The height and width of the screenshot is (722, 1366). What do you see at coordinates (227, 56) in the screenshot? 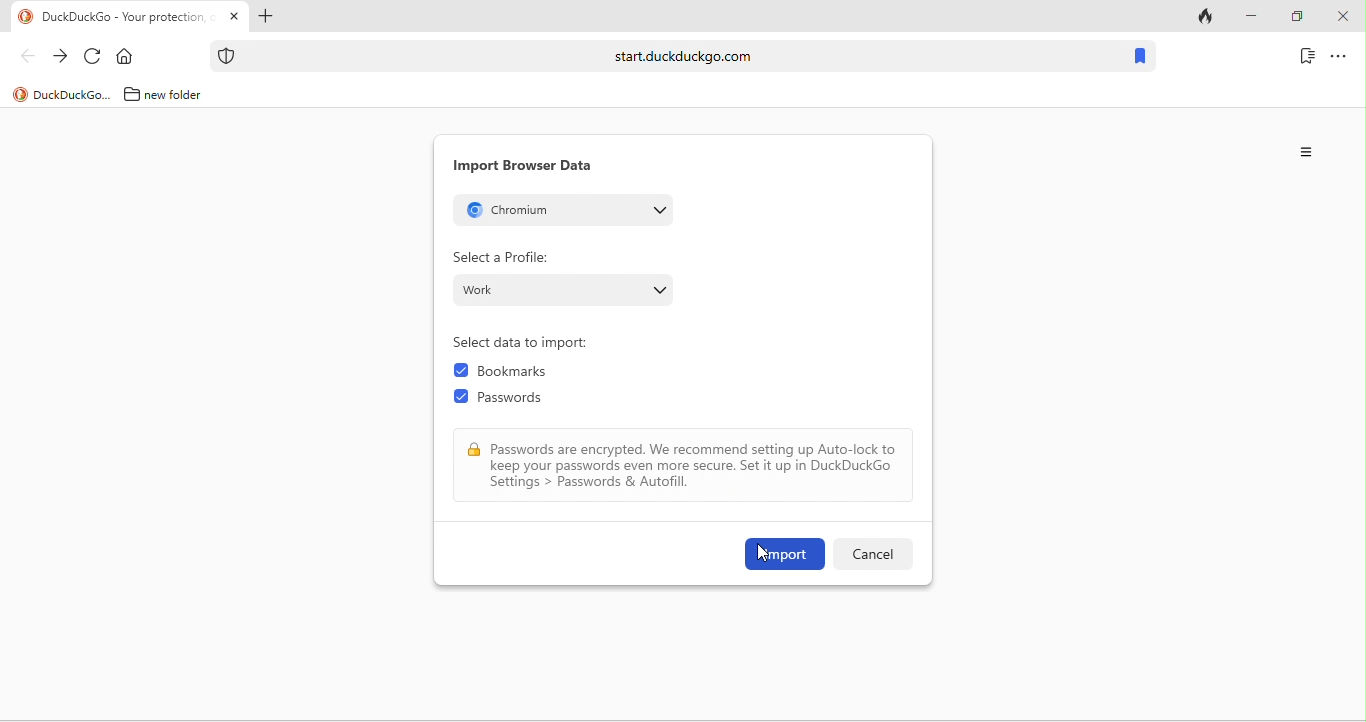
I see `icon` at bounding box center [227, 56].